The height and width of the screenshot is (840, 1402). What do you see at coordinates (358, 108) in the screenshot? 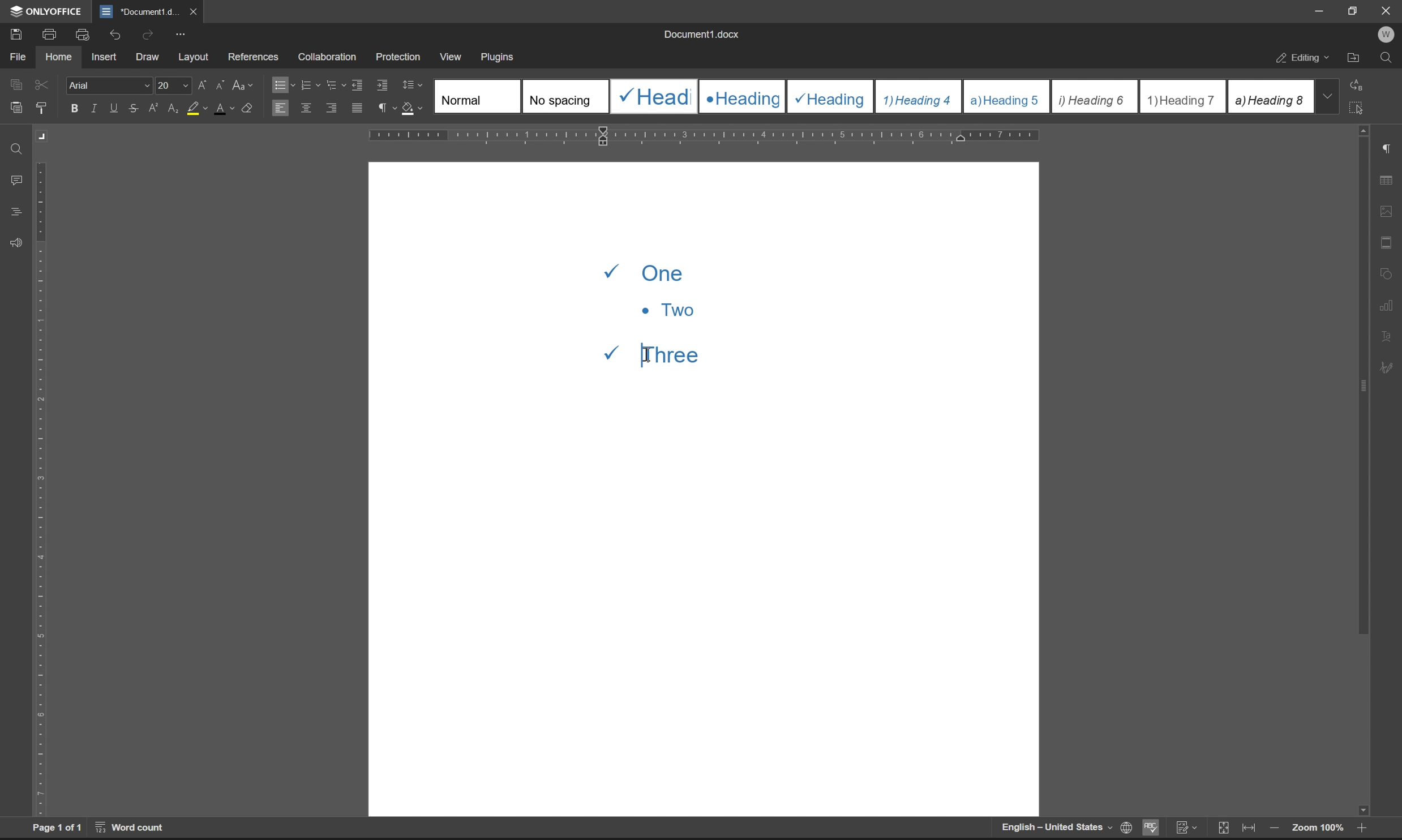
I see `justified` at bounding box center [358, 108].